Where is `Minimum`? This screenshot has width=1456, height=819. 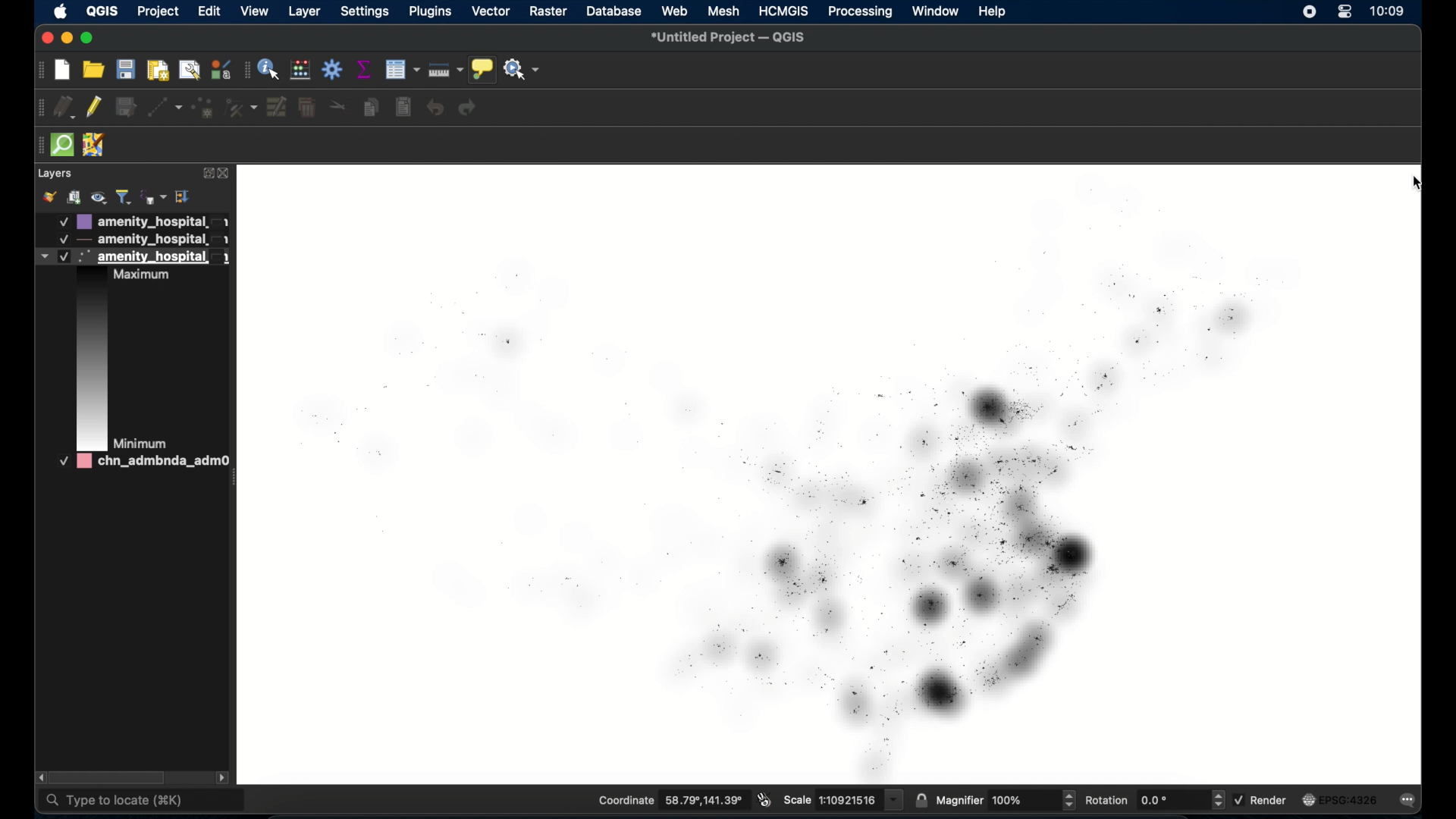 Minimum is located at coordinates (141, 442).